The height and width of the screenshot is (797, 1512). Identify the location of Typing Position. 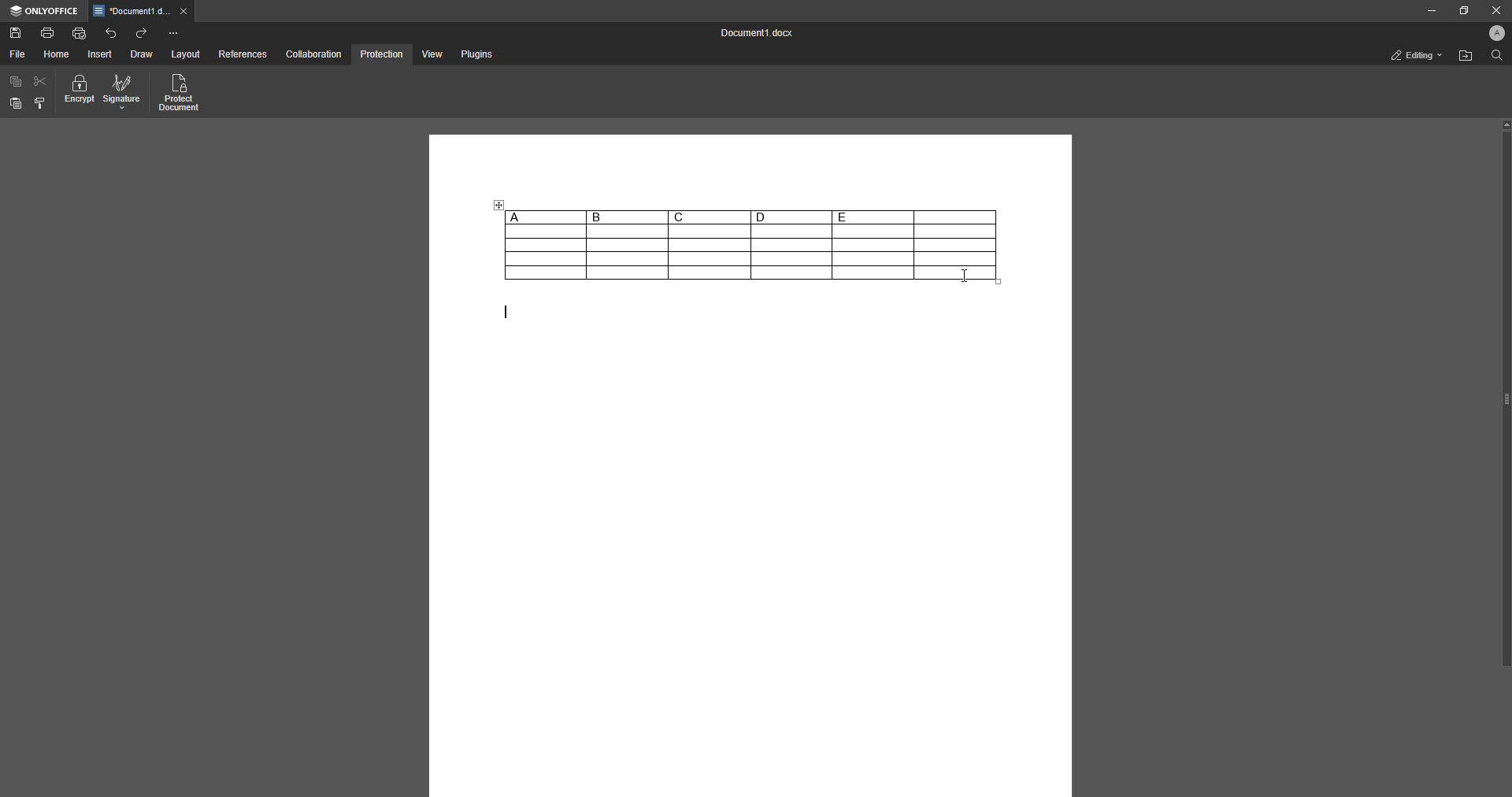
(501, 315).